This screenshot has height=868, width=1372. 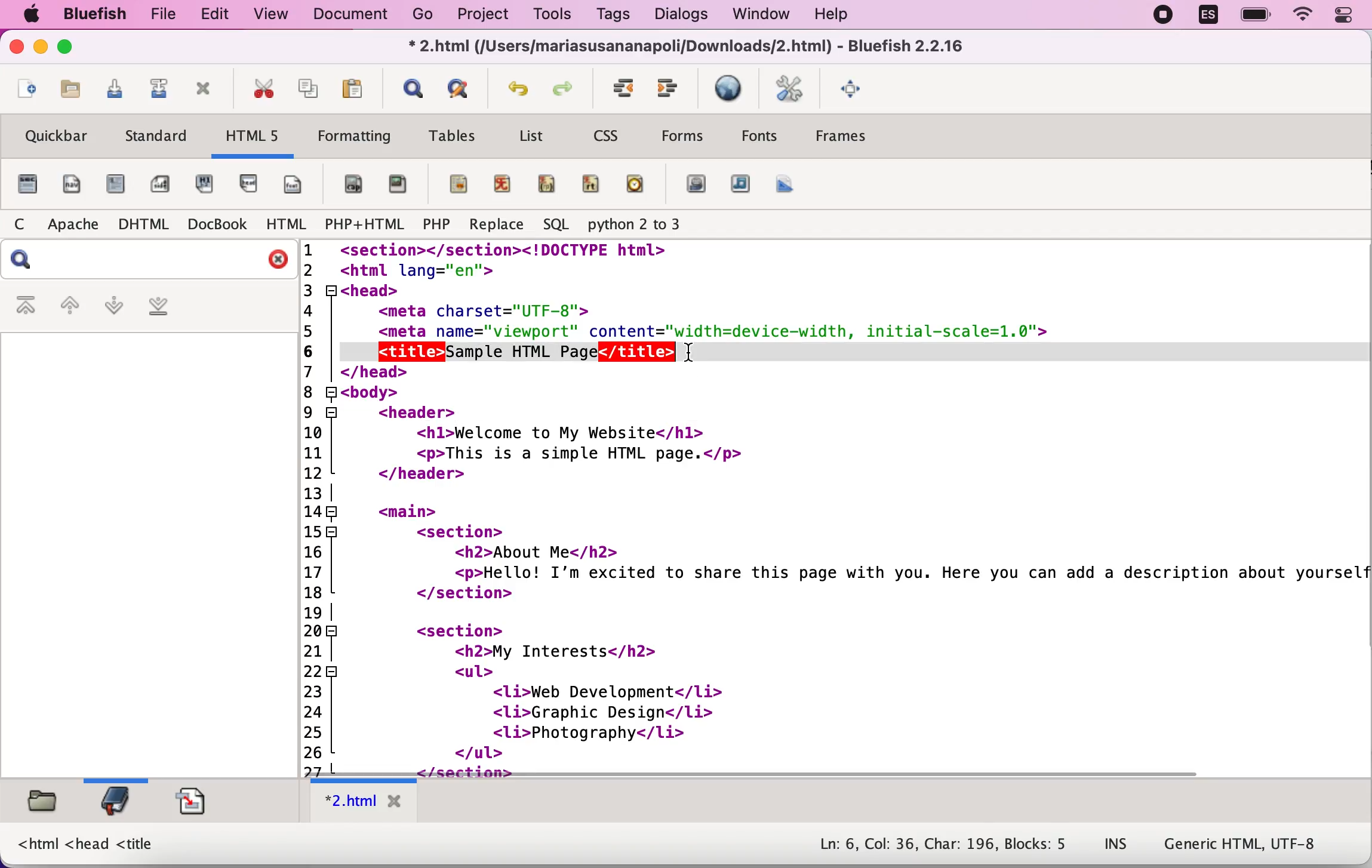 I want to click on recording stopped, so click(x=1161, y=18).